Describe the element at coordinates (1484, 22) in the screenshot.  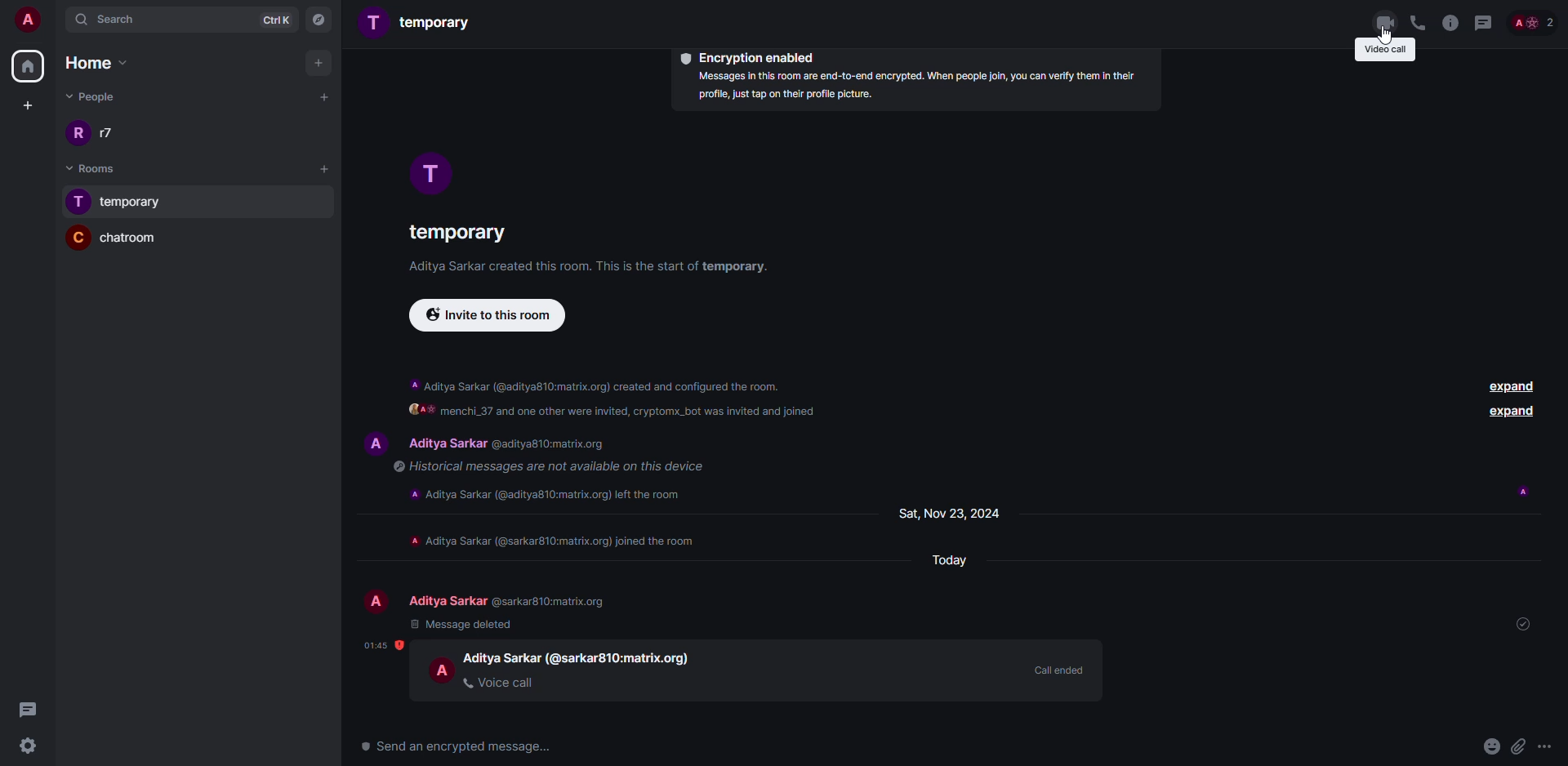
I see `threads` at that location.